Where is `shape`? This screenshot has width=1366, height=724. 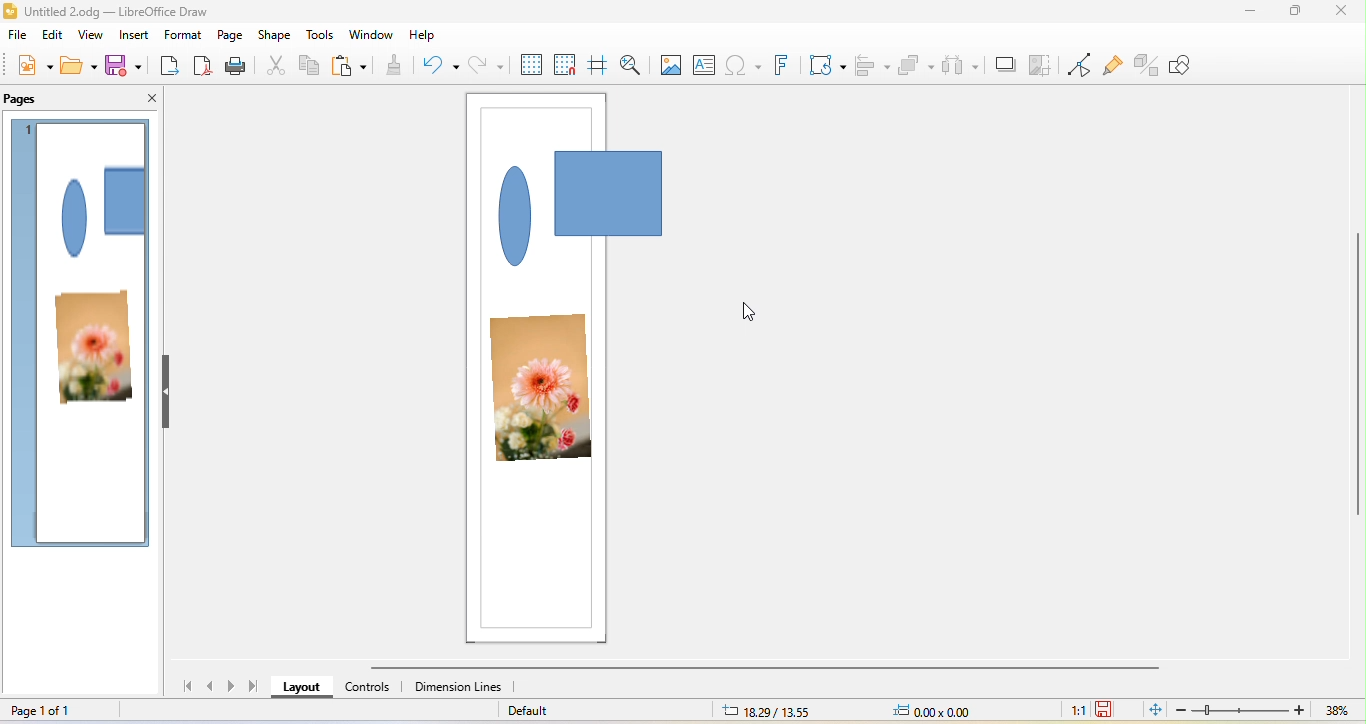
shape is located at coordinates (583, 210).